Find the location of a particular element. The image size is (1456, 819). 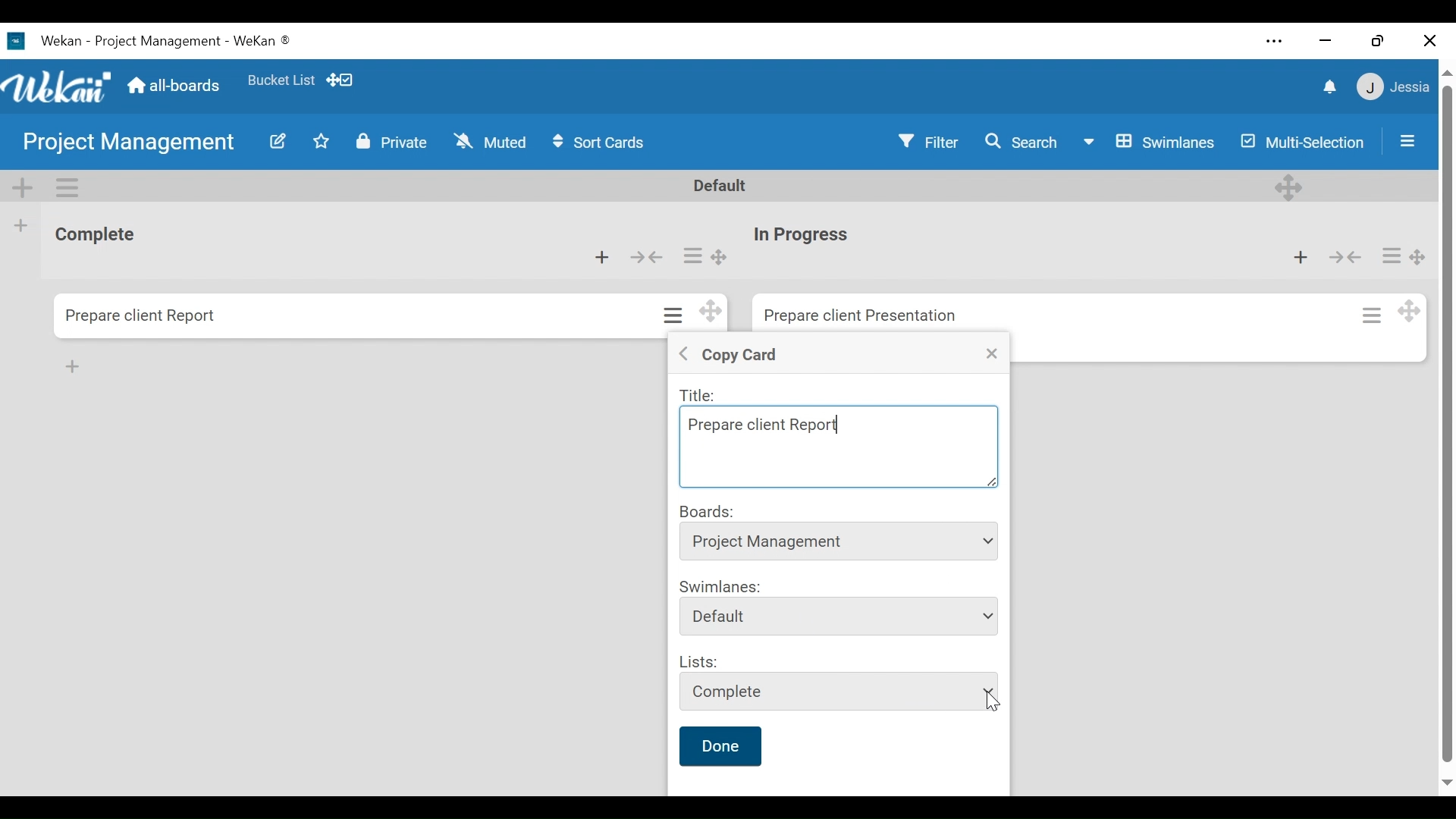

Title Field is located at coordinates (839, 447).